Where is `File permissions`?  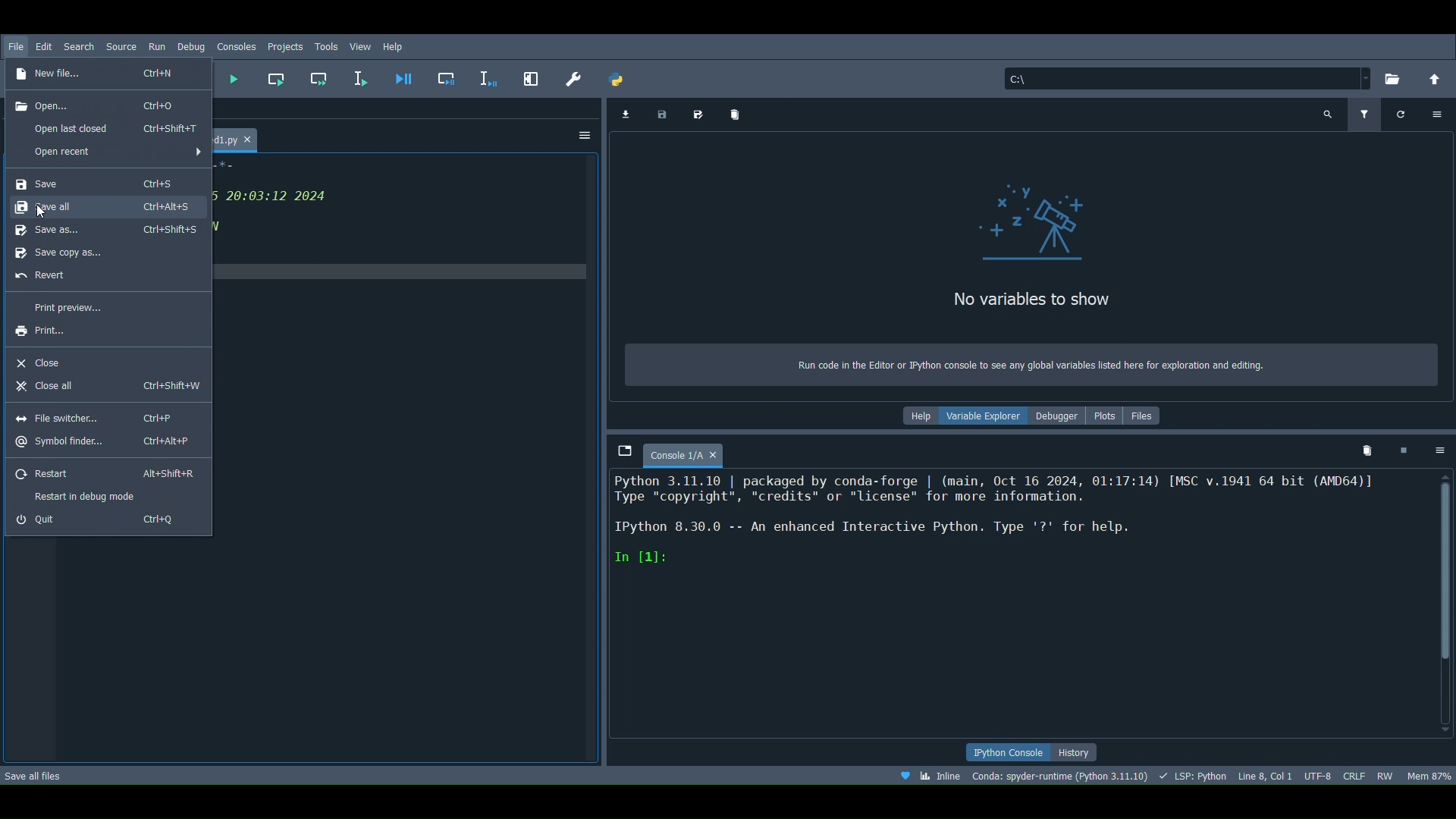 File permissions is located at coordinates (1386, 773).